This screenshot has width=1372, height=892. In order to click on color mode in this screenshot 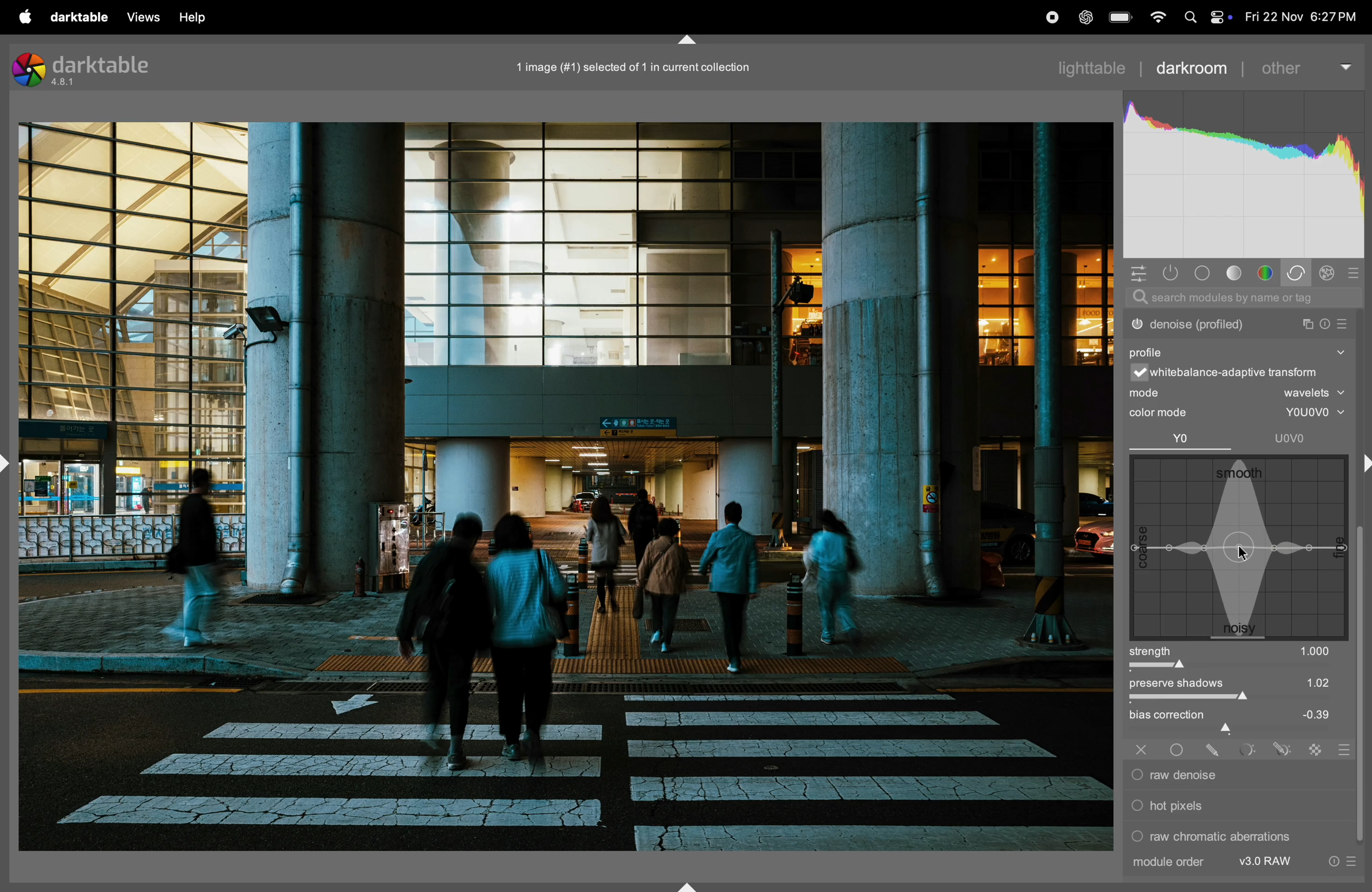, I will do `click(1160, 415)`.